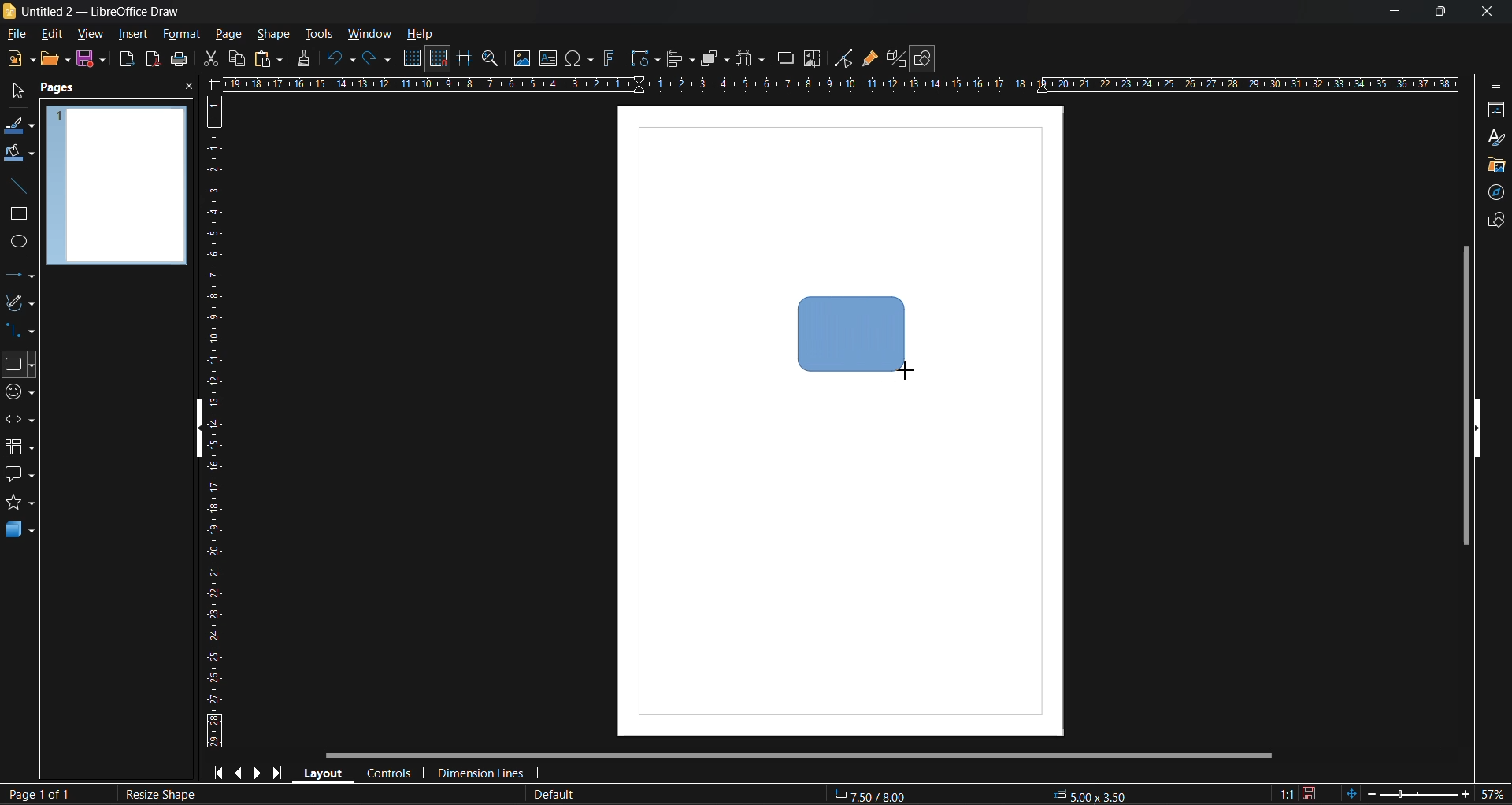 Image resolution: width=1512 pixels, height=805 pixels. Describe the element at coordinates (89, 58) in the screenshot. I see `save` at that location.